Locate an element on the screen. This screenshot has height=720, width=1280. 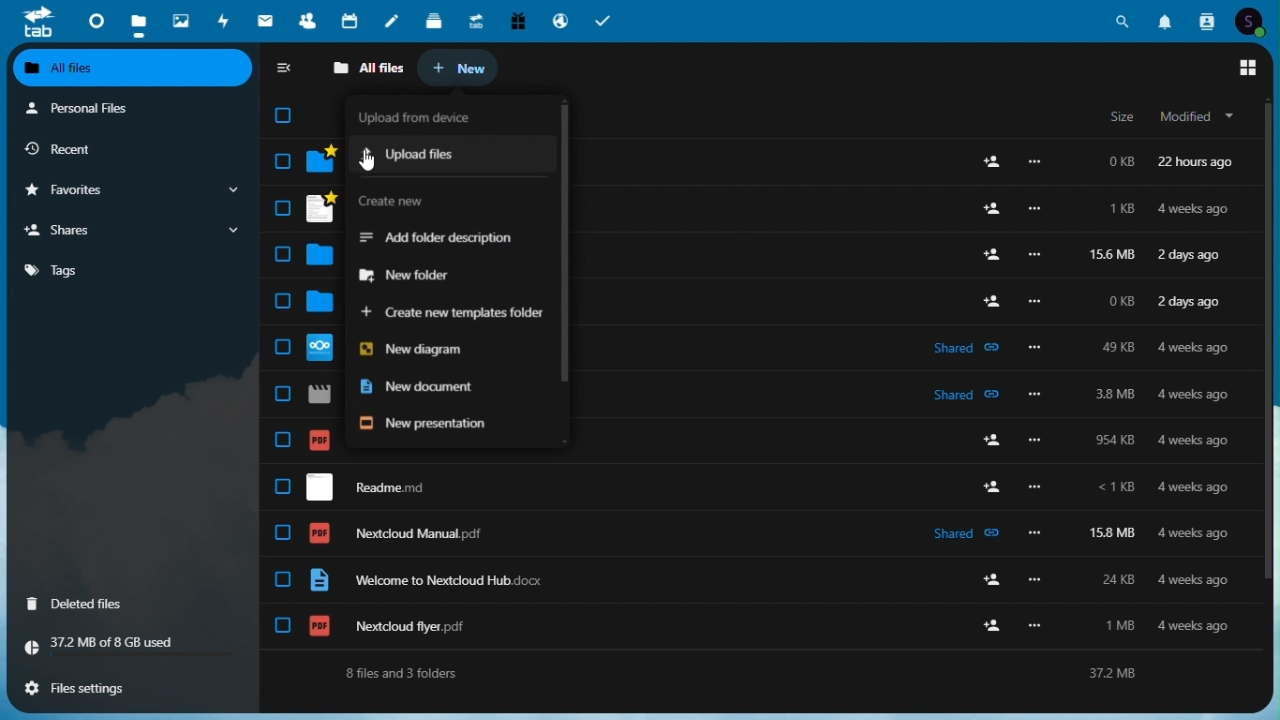
Notifications is located at coordinates (1163, 21).